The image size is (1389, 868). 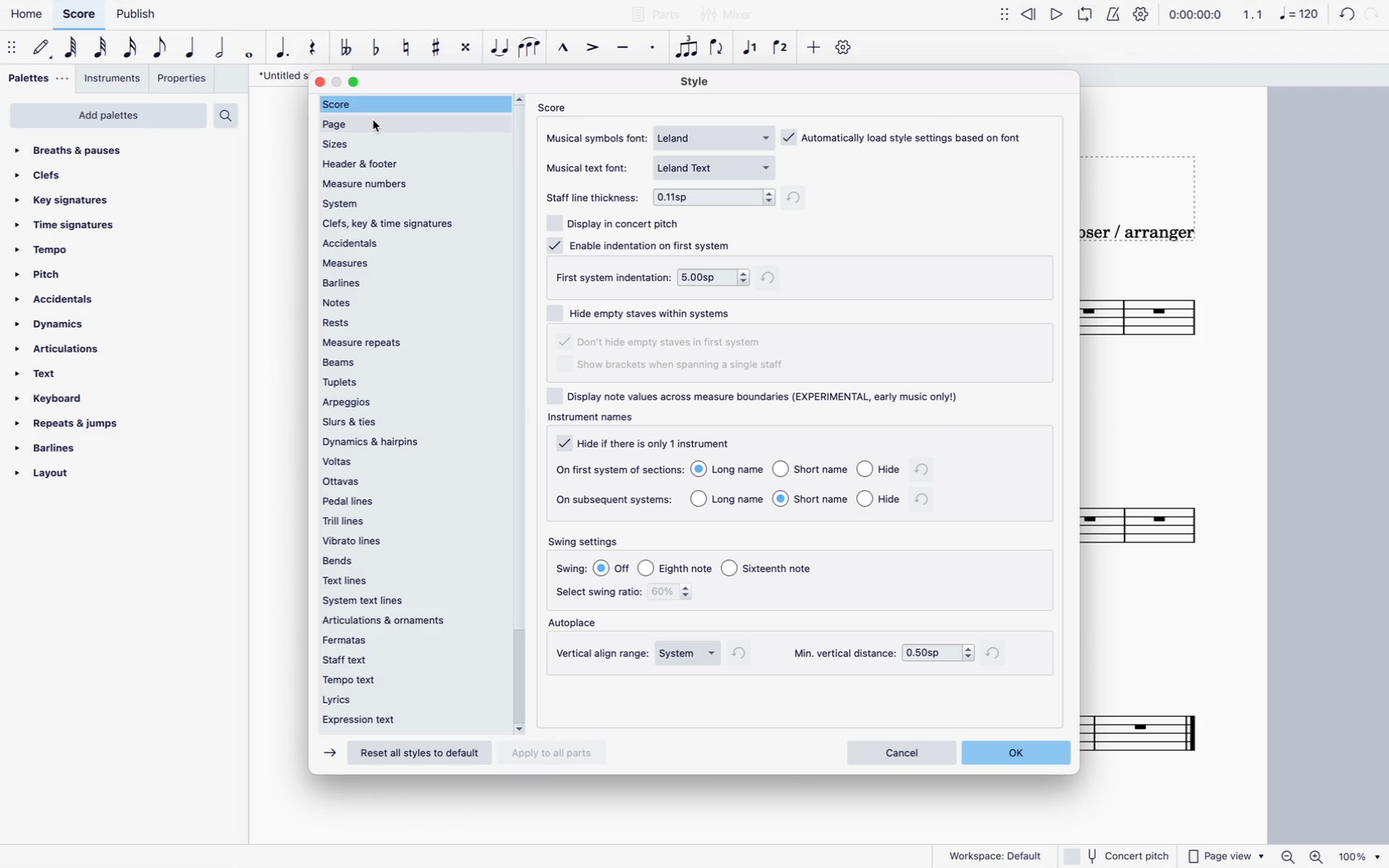 I want to click on staff line thickness, so click(x=594, y=200).